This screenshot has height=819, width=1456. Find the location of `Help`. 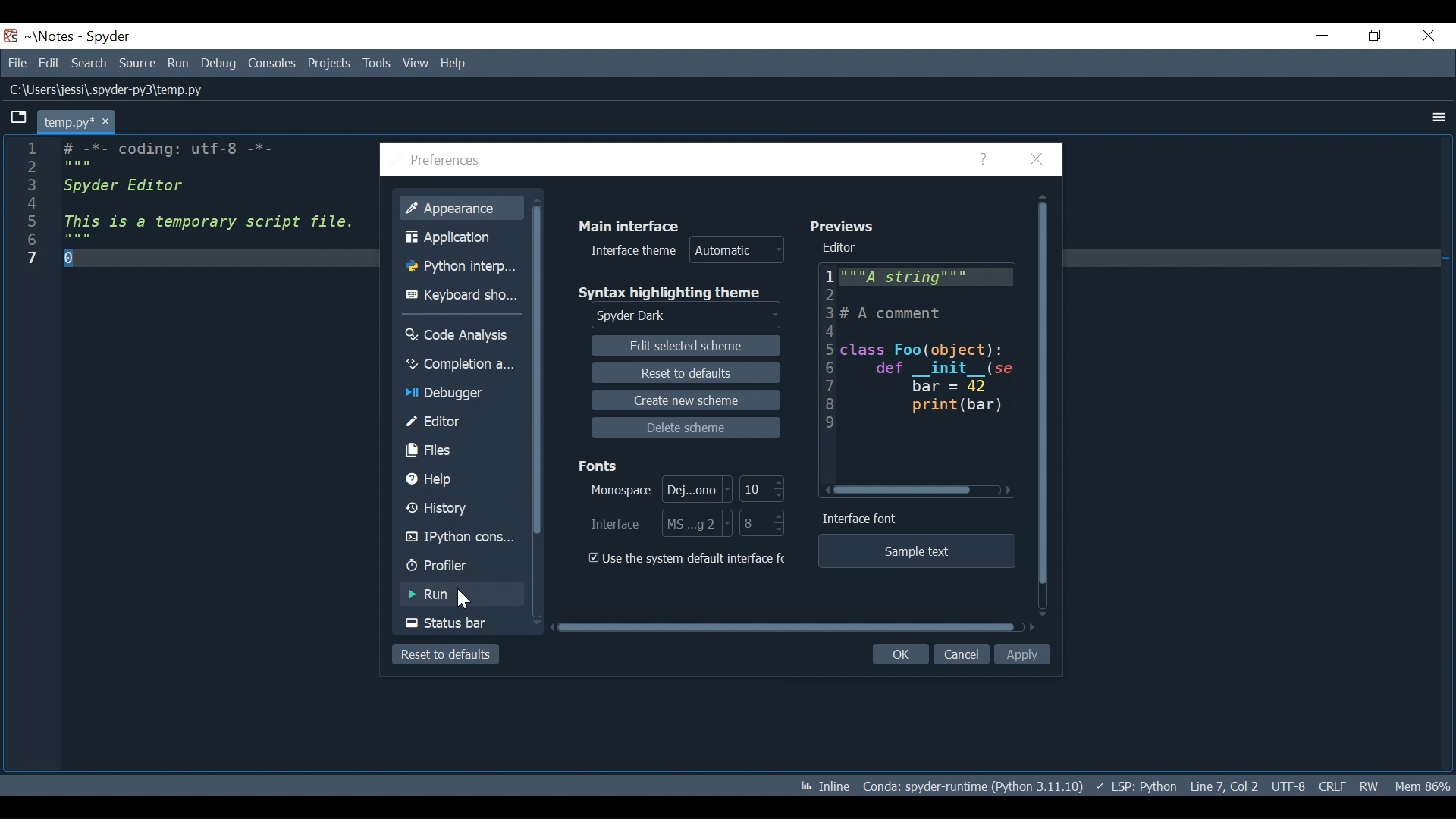

Help is located at coordinates (463, 62).